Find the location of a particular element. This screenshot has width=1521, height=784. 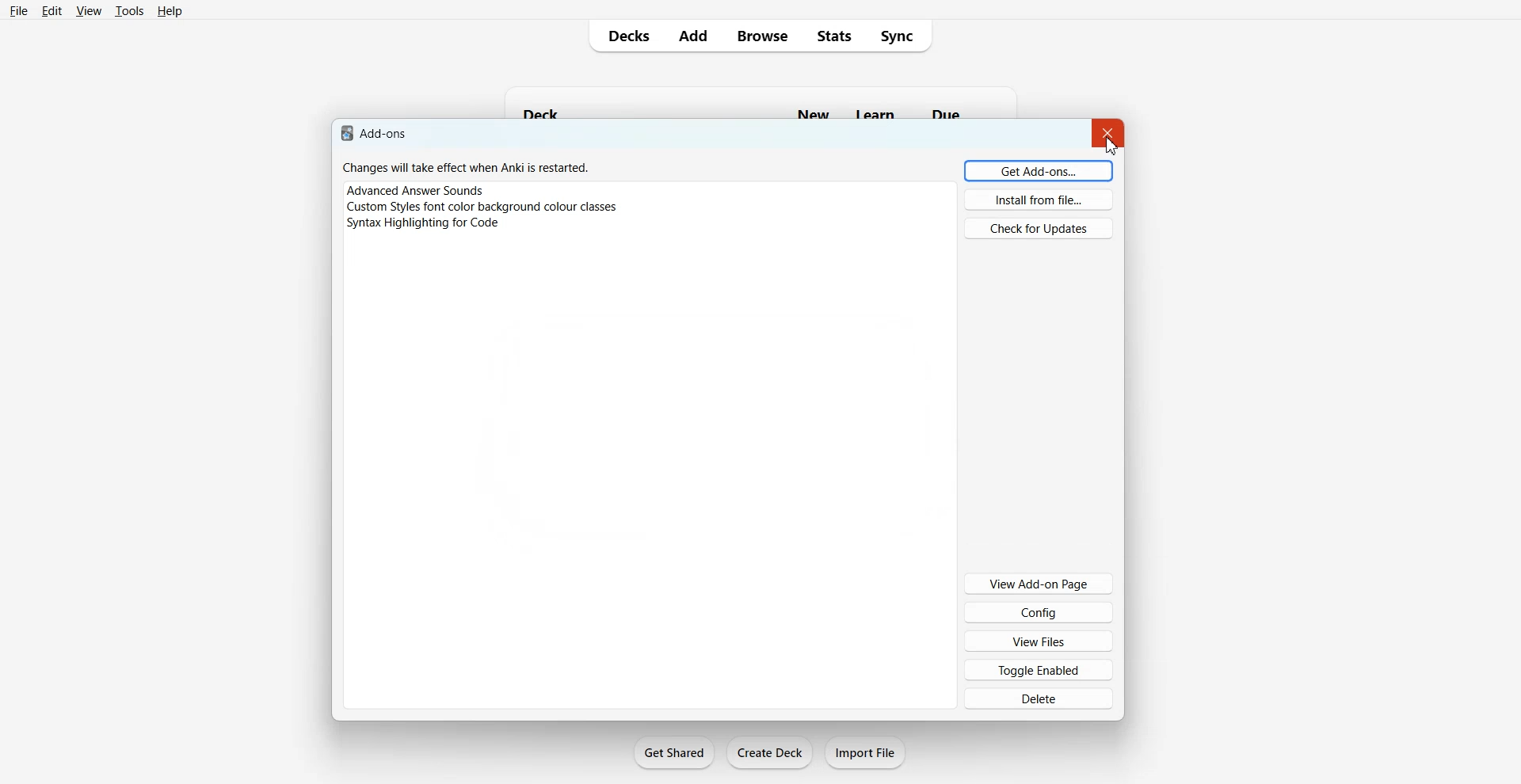

View Files is located at coordinates (1039, 641).